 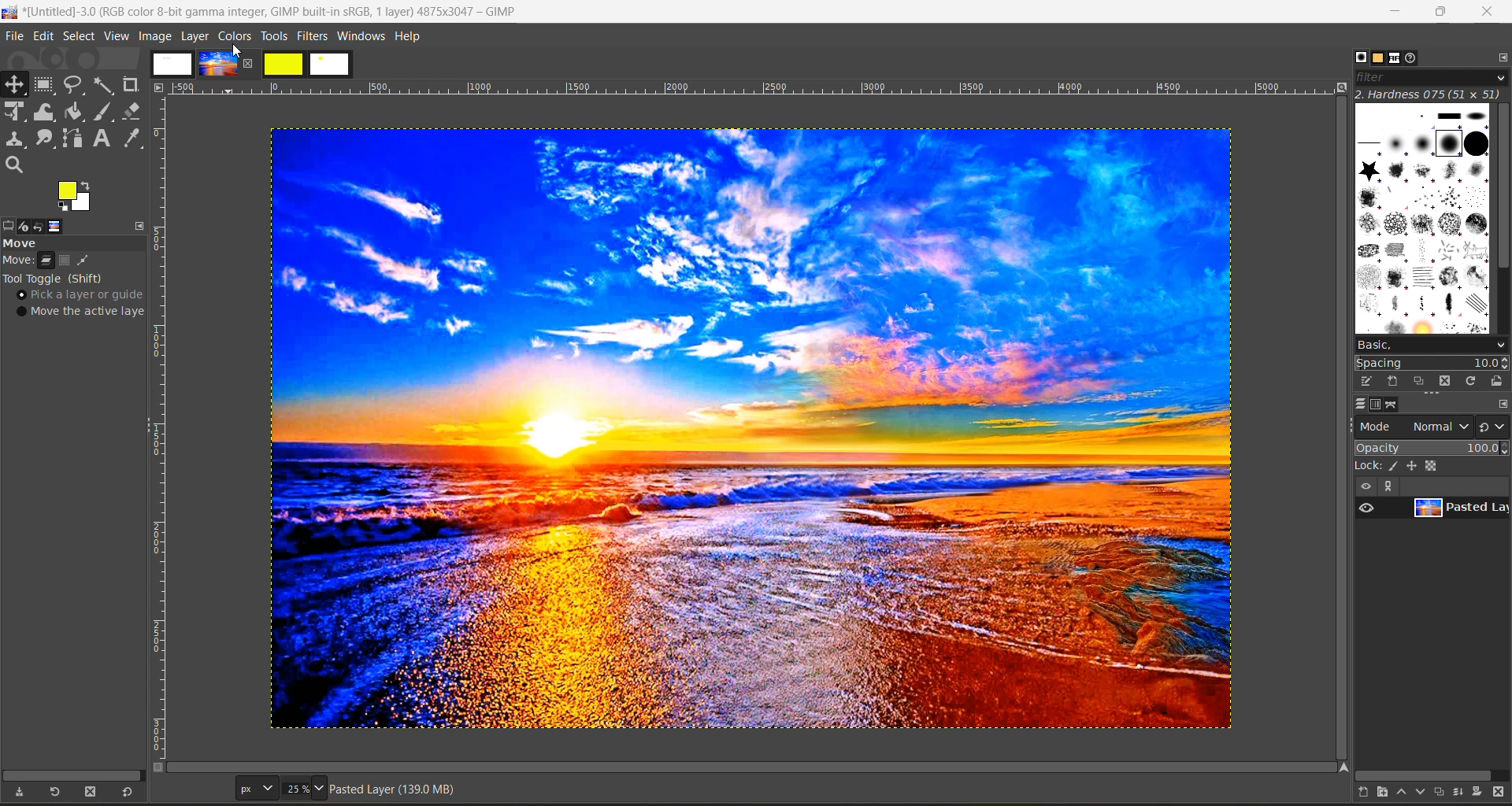 I want to click on view, so click(x=118, y=37).